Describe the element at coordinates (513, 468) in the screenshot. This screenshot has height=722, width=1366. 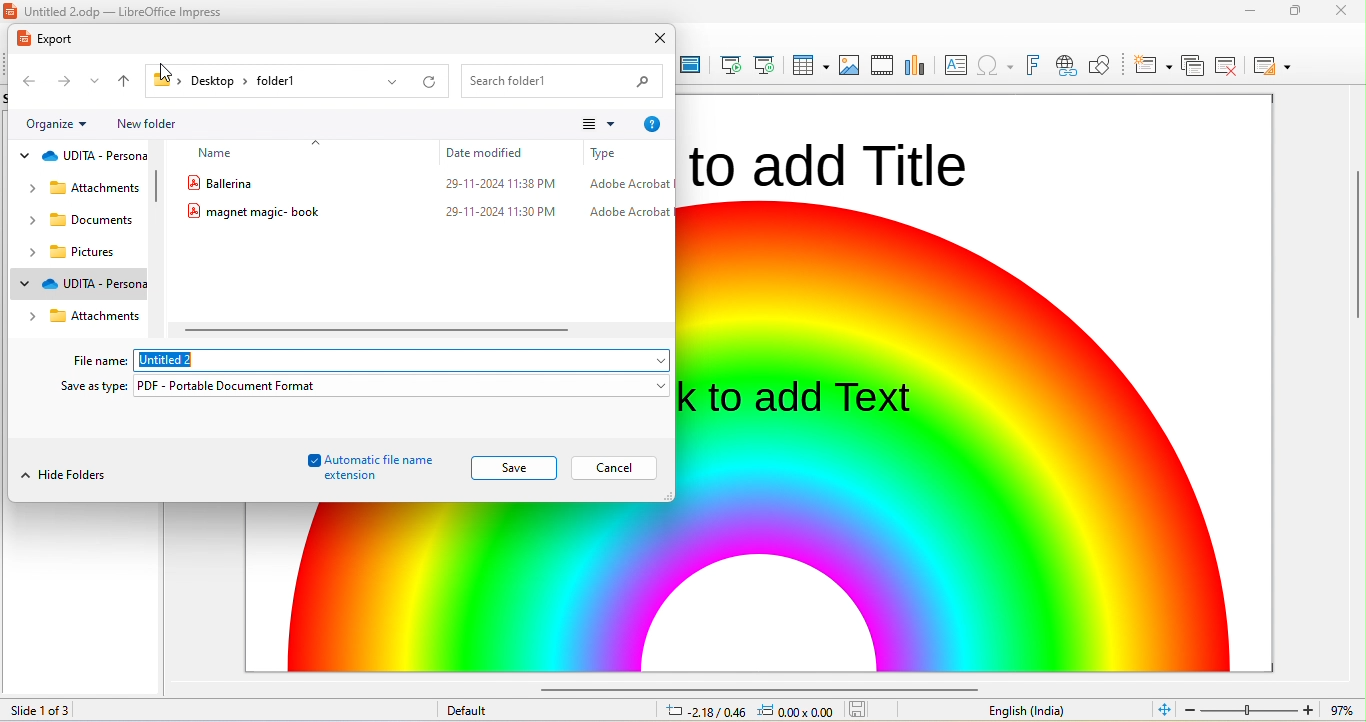
I see `save` at that location.